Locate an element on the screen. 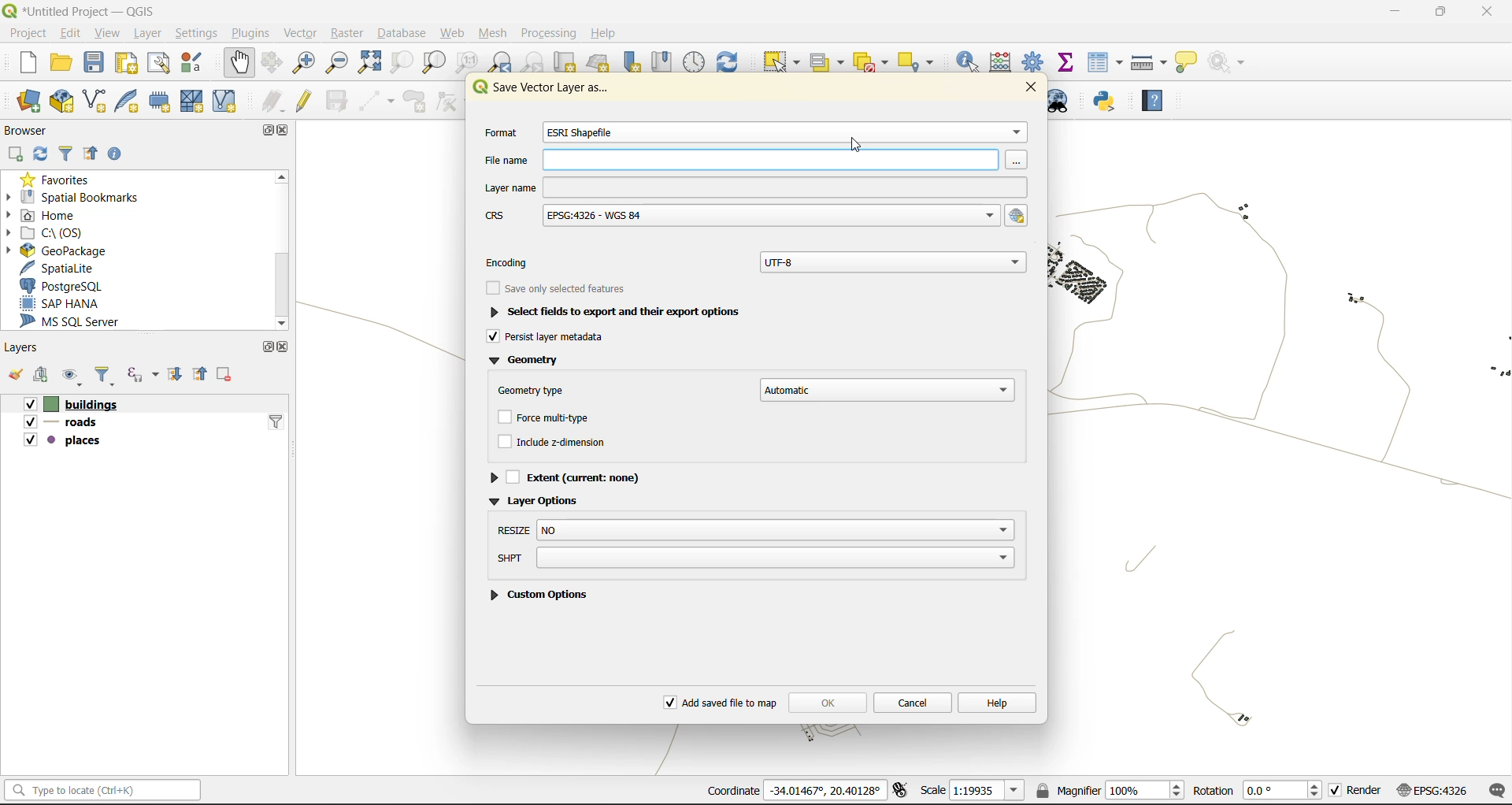 Image resolution: width=1512 pixels, height=805 pixels. pan selection is located at coordinates (272, 61).